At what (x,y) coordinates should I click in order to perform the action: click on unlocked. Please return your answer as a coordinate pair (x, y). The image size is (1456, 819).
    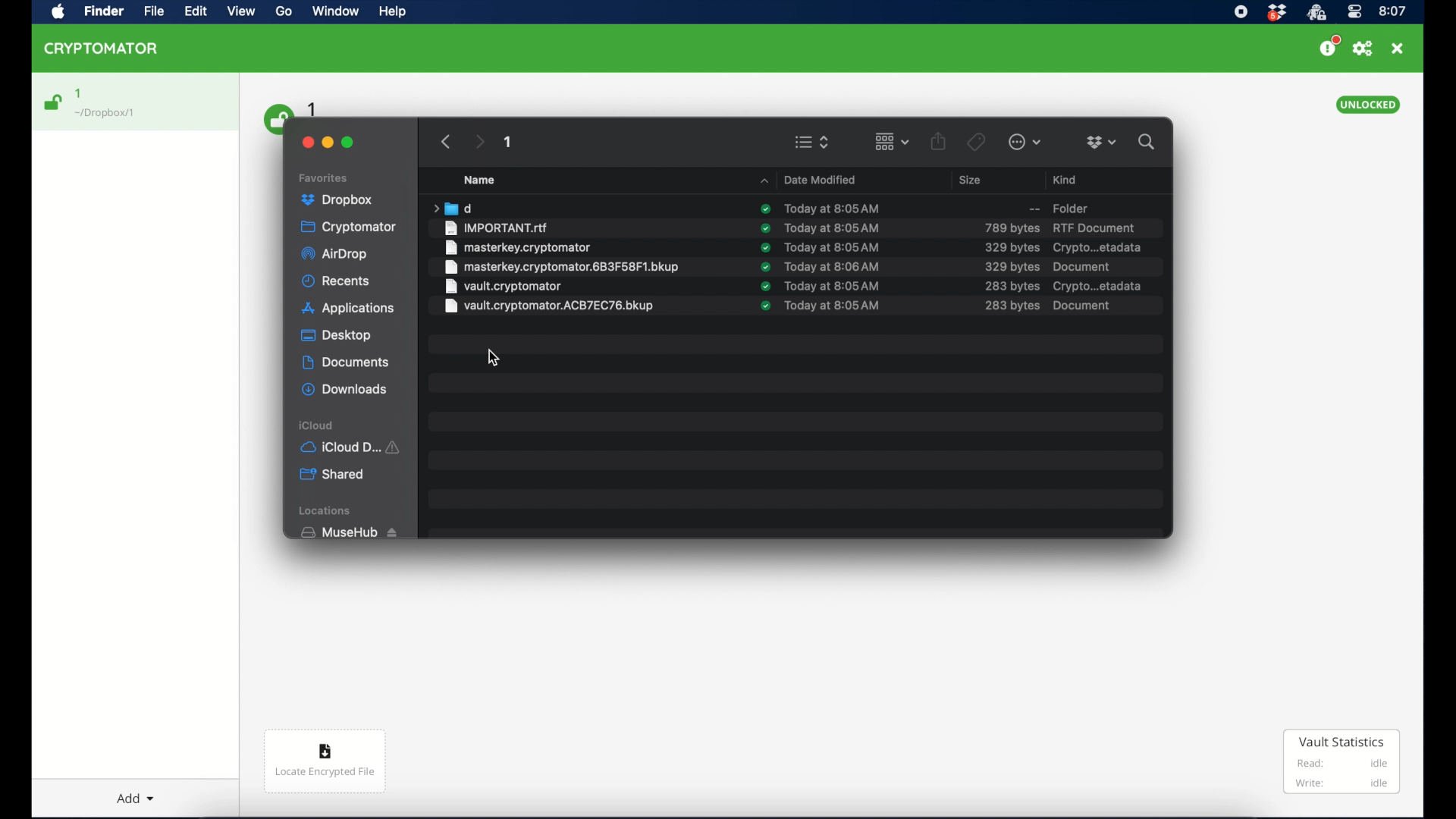
    Looking at the image, I should click on (1369, 105).